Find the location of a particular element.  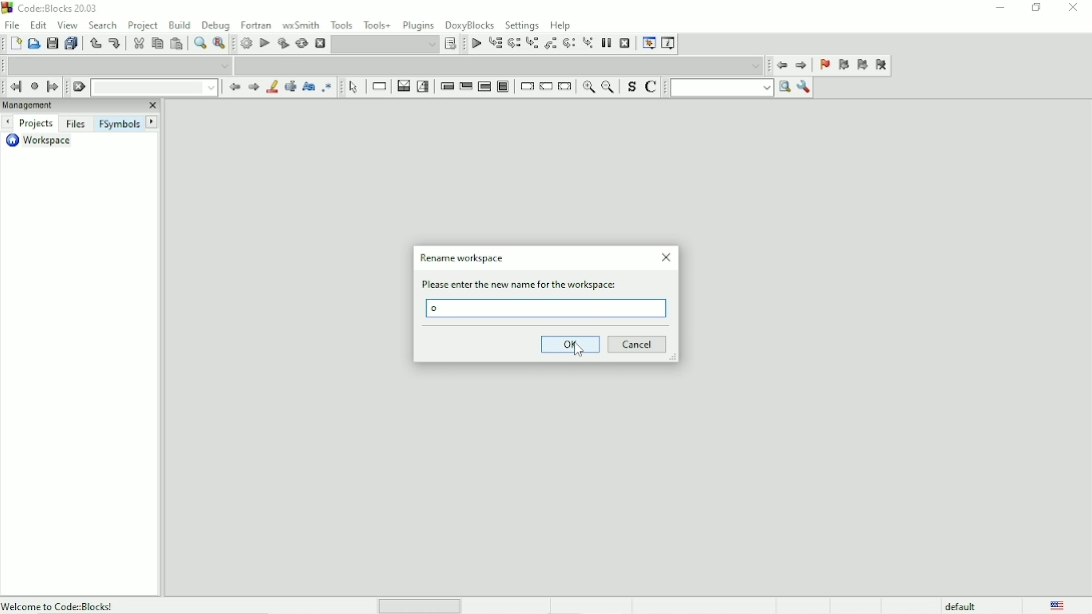

Toggle comments is located at coordinates (653, 87).